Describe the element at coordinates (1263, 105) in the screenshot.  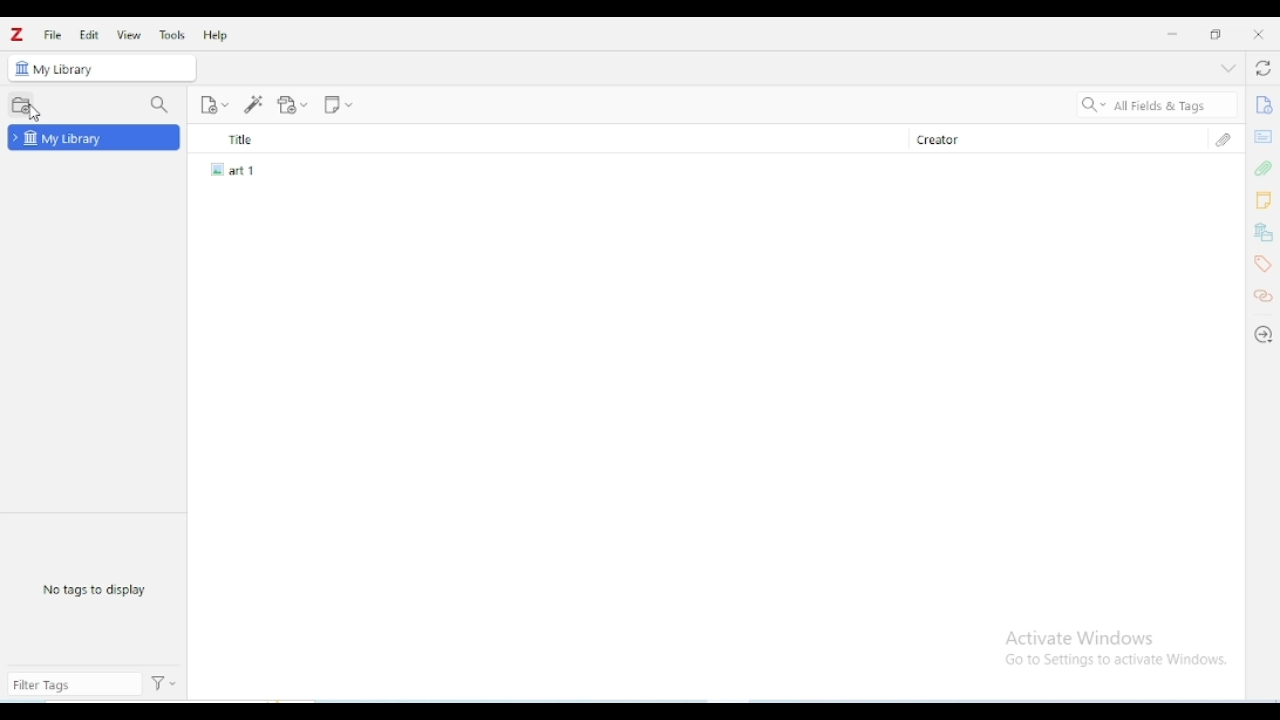
I see `info` at that location.